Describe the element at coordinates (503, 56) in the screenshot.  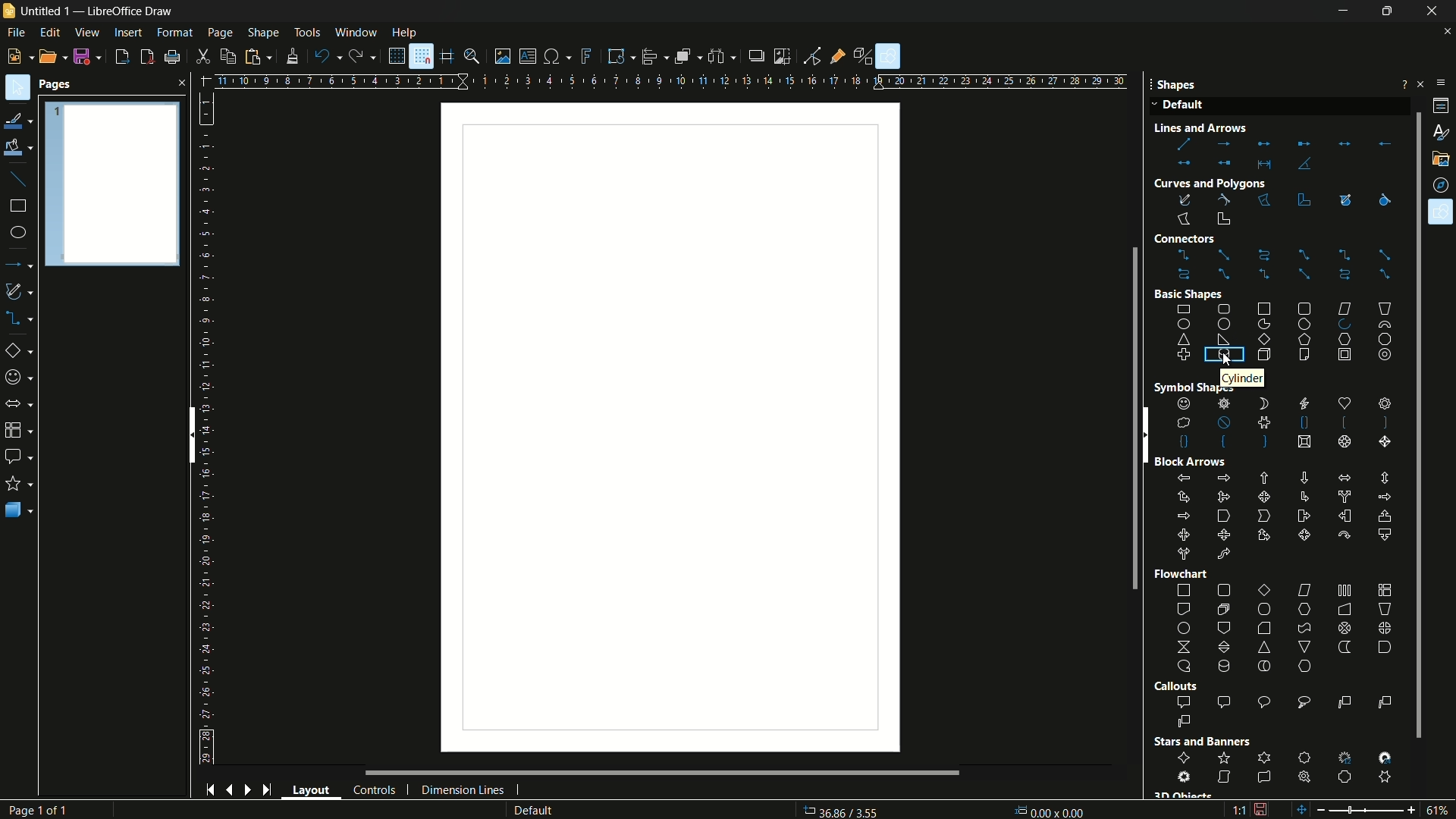
I see `insert image` at that location.